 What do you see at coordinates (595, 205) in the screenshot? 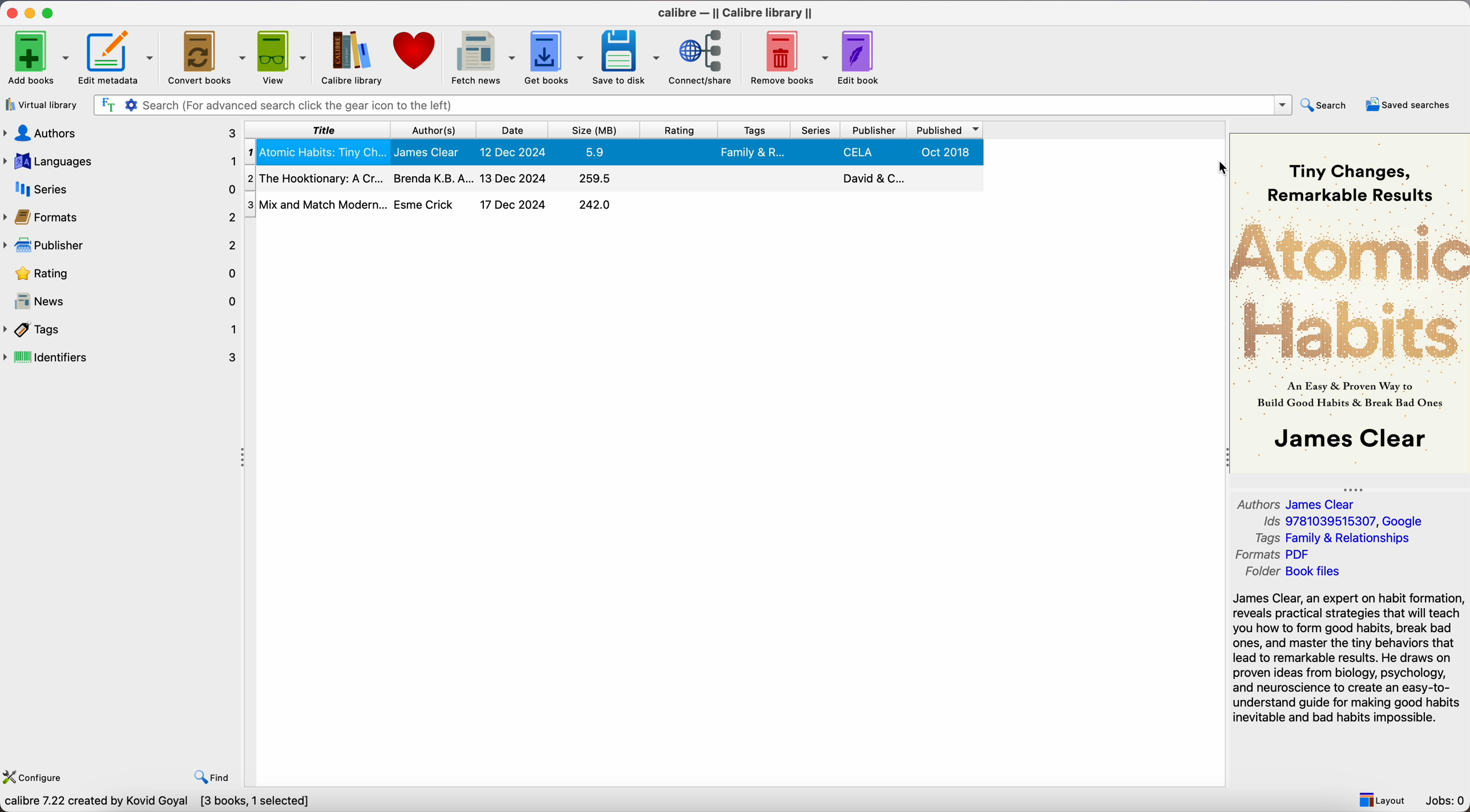
I see `242.0` at bounding box center [595, 205].